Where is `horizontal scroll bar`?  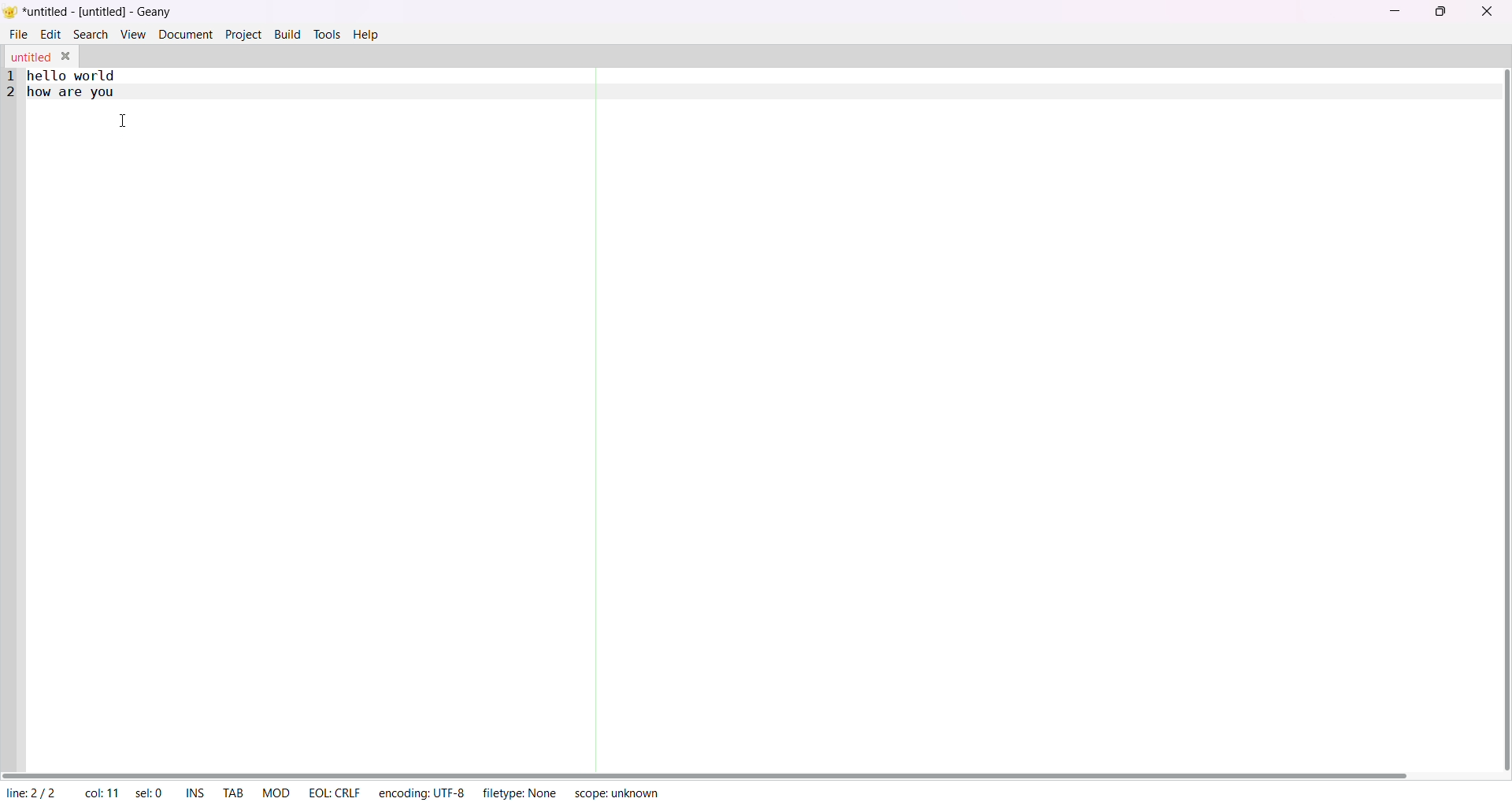
horizontal scroll bar is located at coordinates (713, 771).